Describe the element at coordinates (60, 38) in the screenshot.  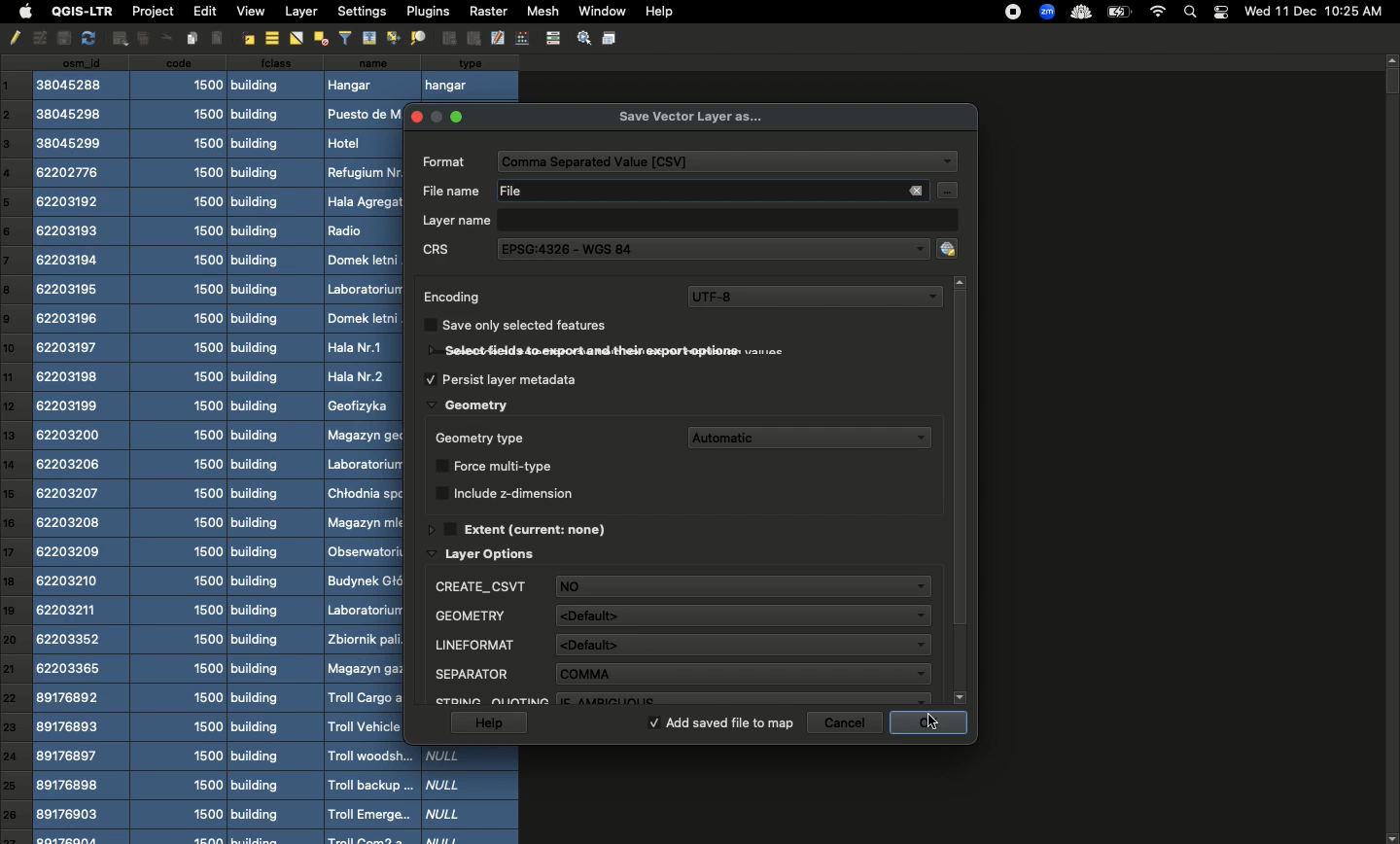
I see `copy` at that location.